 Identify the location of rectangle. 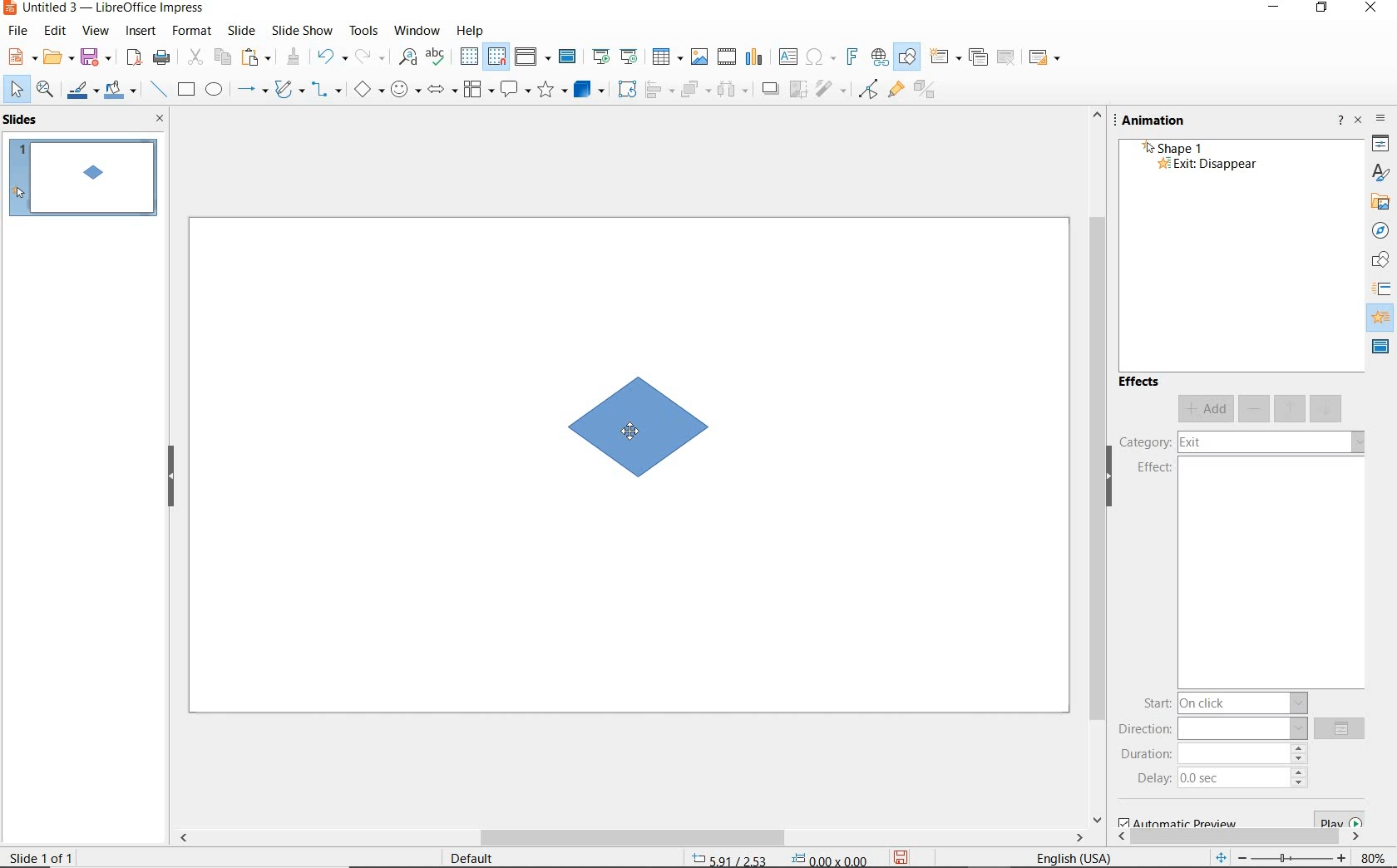
(187, 89).